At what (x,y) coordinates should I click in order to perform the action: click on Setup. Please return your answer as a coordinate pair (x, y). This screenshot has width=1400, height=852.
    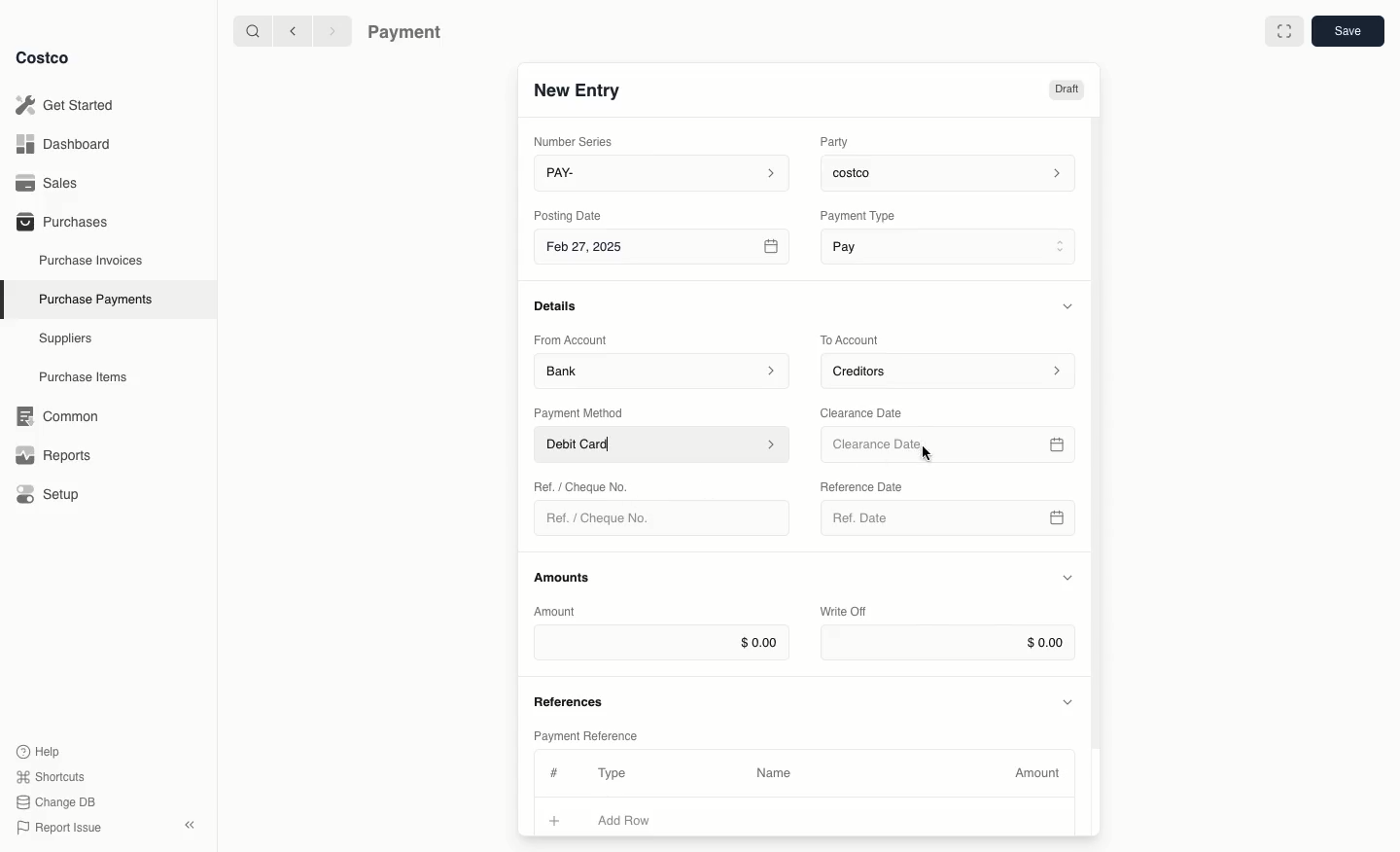
    Looking at the image, I should click on (54, 496).